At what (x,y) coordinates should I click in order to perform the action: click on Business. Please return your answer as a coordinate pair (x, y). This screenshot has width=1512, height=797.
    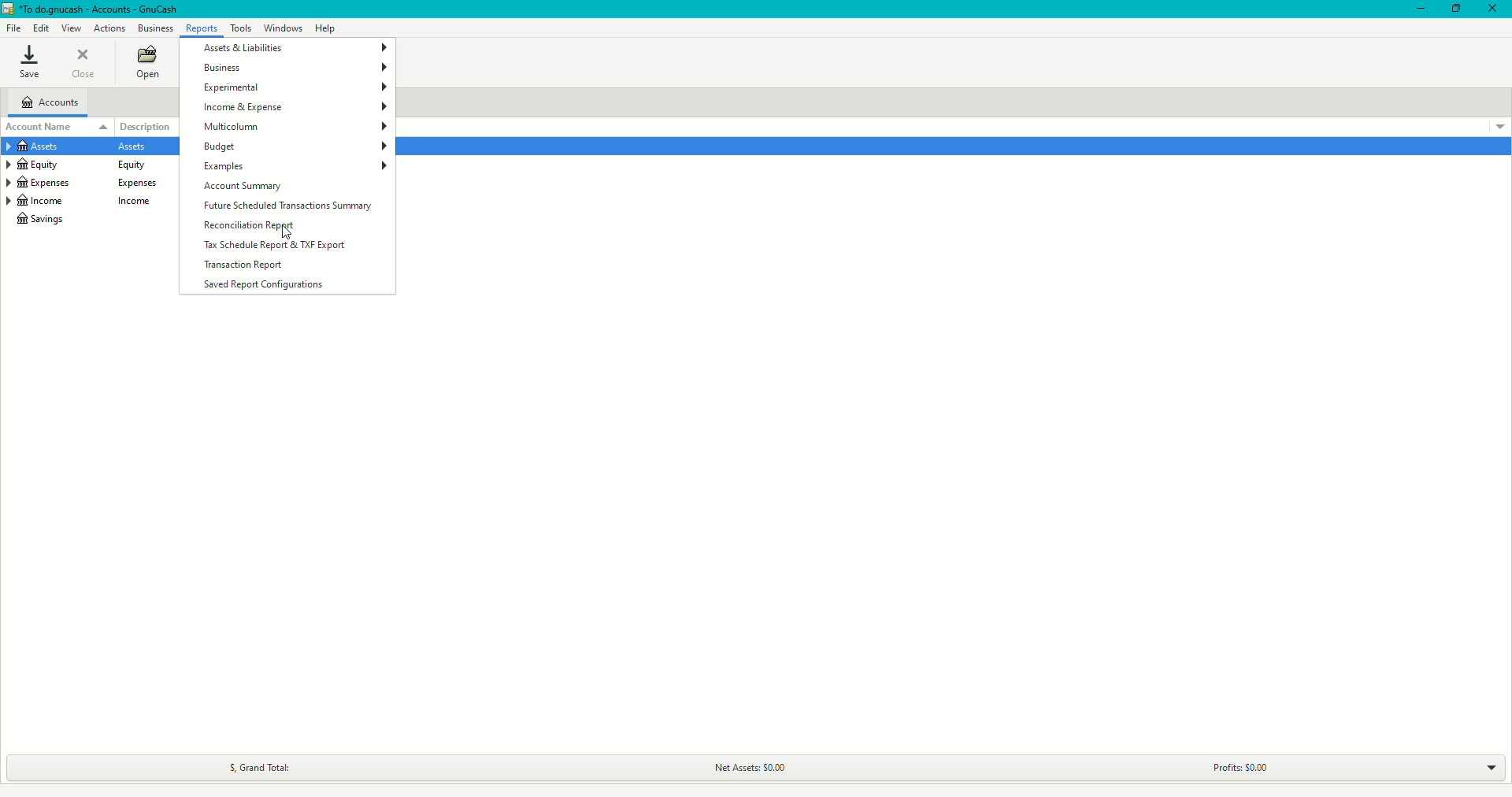
    Looking at the image, I should click on (156, 28).